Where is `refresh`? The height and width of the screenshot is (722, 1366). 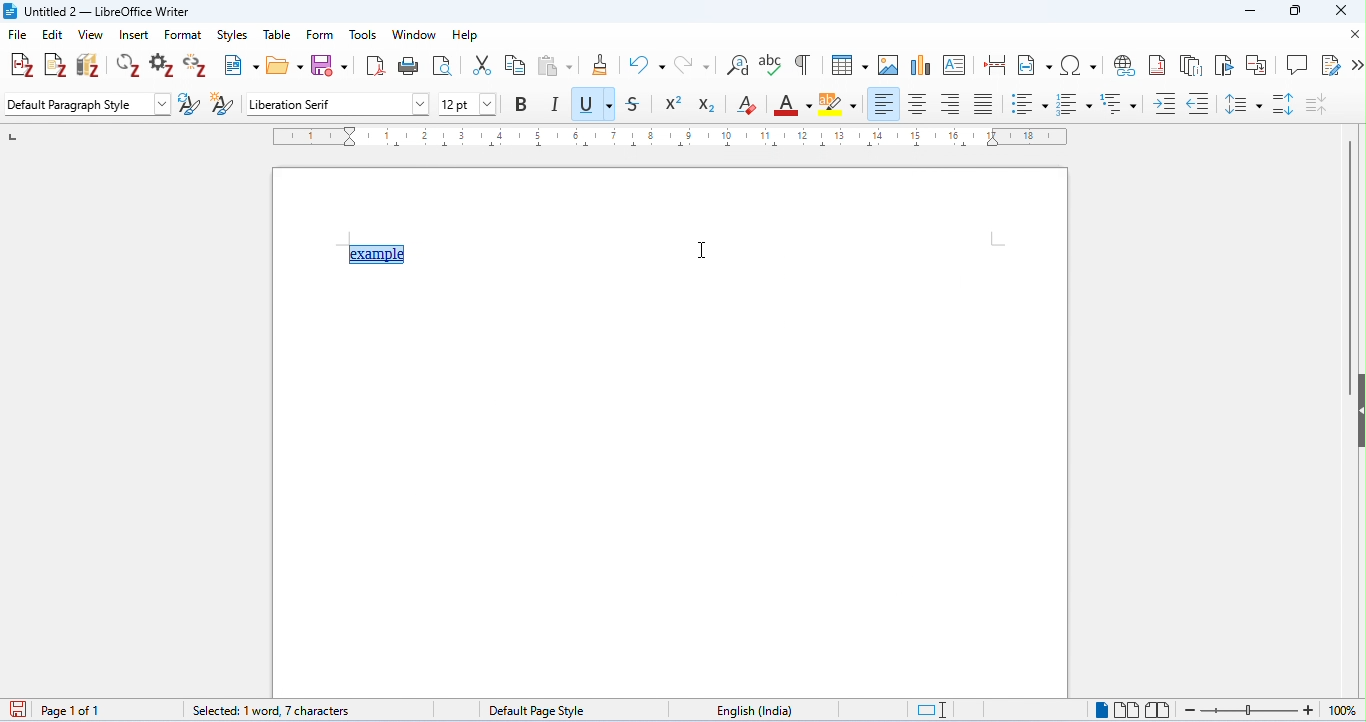
refresh is located at coordinates (129, 66).